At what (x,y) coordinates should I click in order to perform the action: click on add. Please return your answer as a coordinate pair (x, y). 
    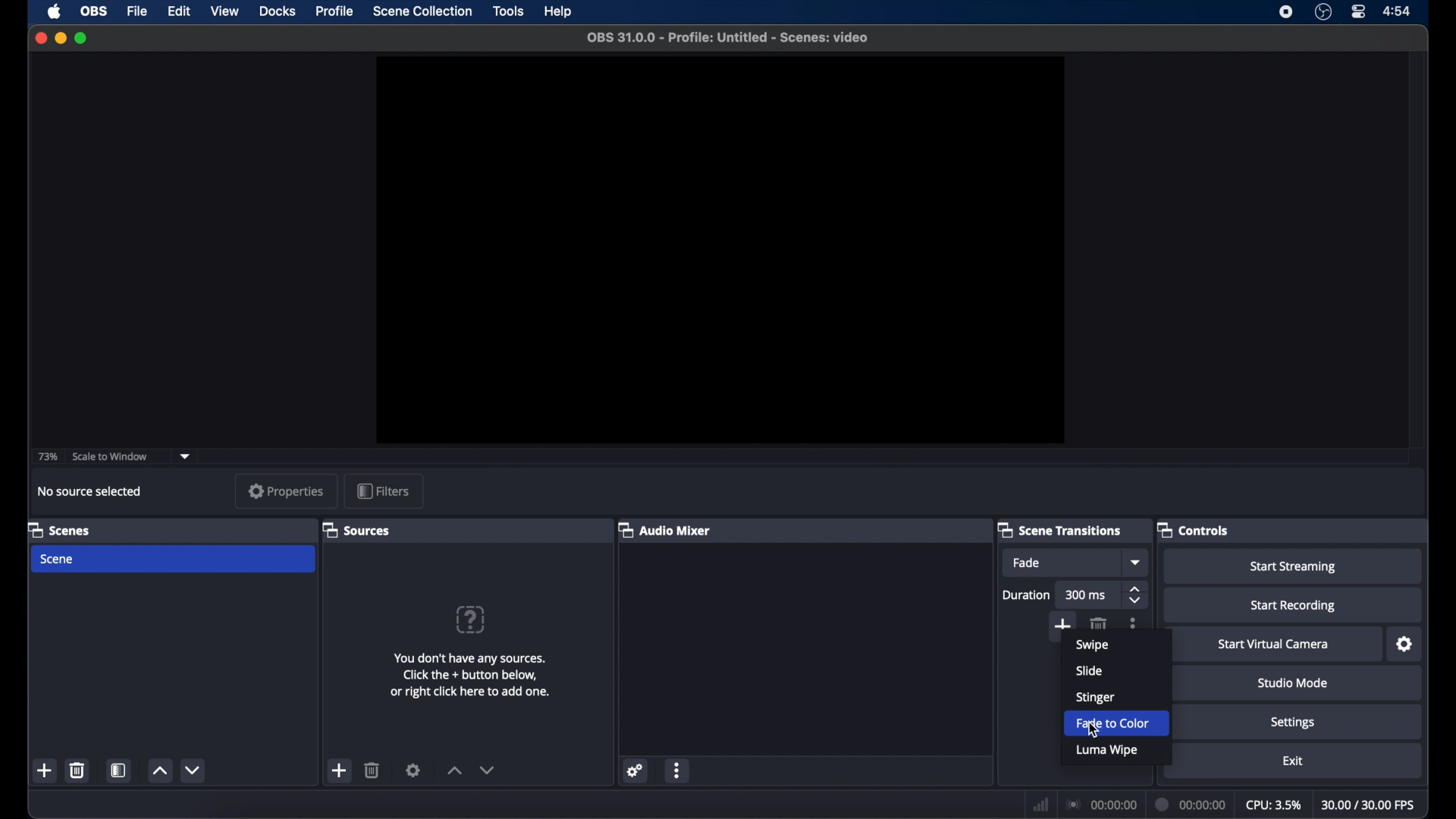
    Looking at the image, I should click on (340, 770).